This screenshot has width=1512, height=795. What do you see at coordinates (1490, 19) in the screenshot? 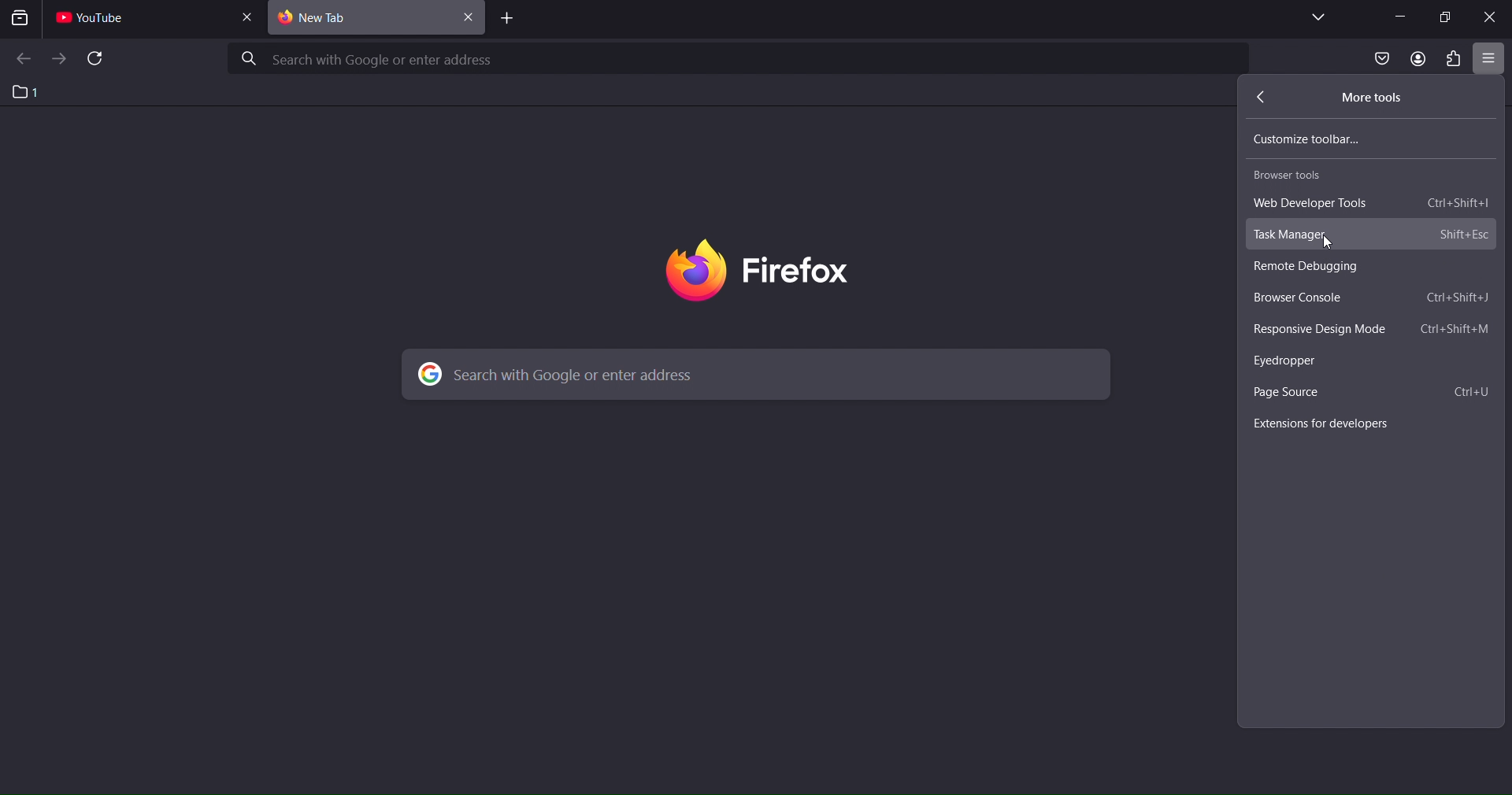
I see `close` at bounding box center [1490, 19].